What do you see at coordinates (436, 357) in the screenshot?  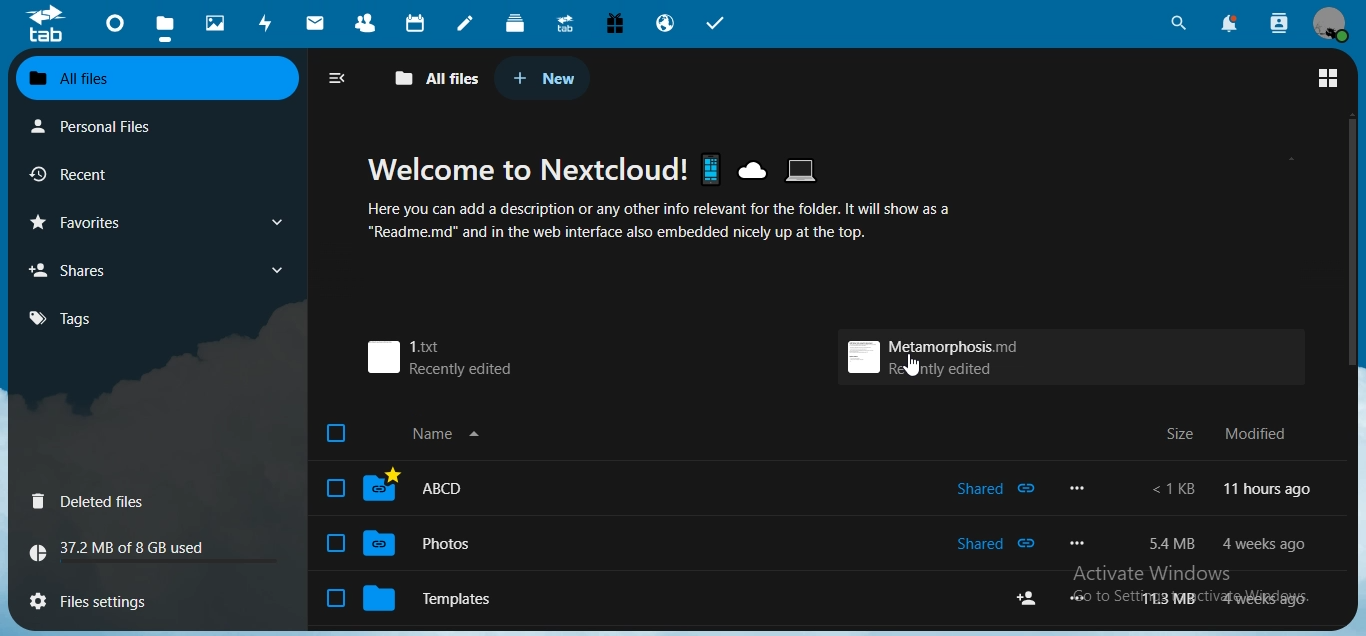 I see `1.txt` at bounding box center [436, 357].